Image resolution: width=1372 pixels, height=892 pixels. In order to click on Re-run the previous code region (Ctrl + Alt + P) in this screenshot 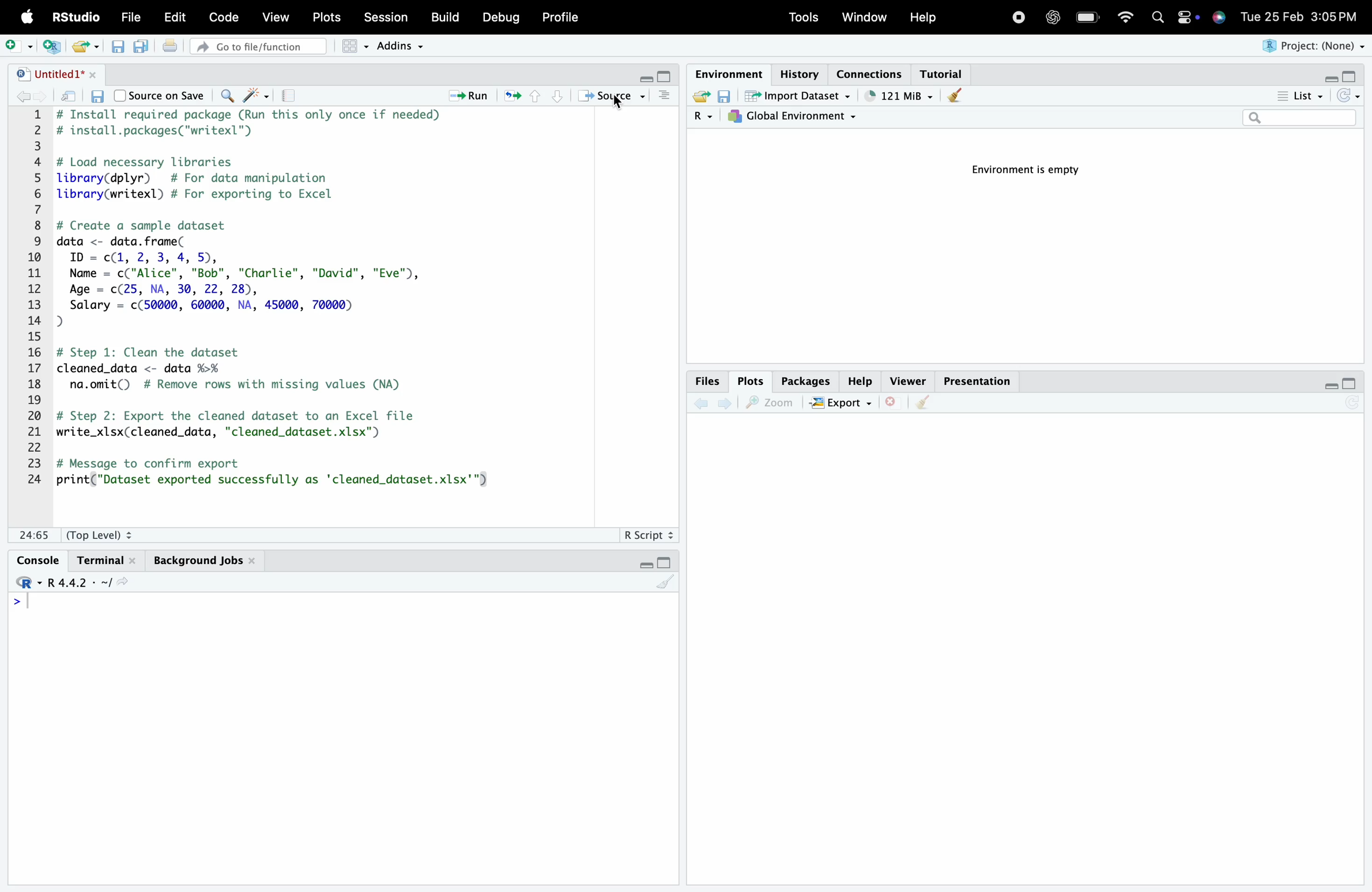, I will do `click(510, 96)`.